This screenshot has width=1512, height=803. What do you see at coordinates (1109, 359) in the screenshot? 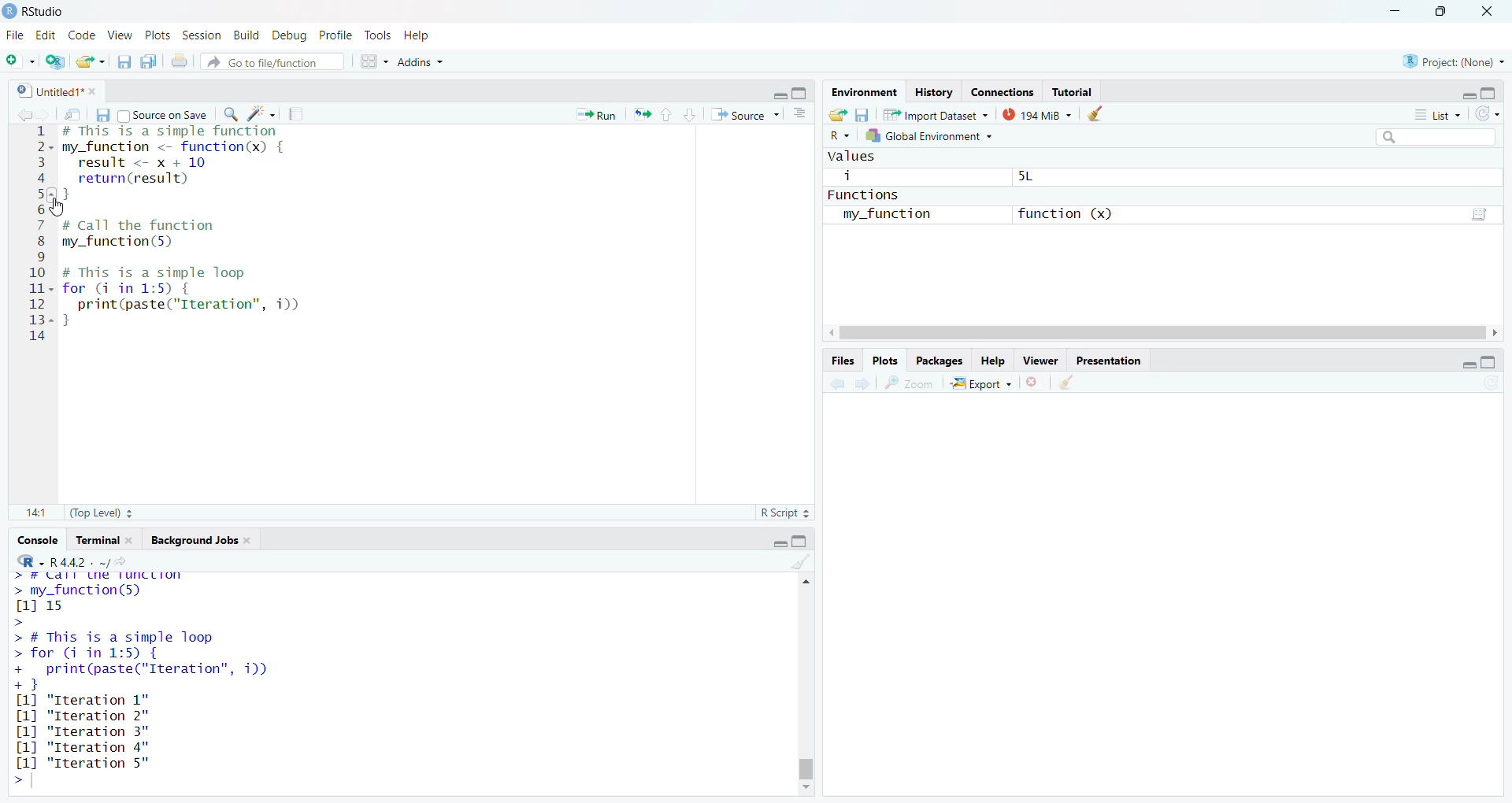
I see `presentation` at bounding box center [1109, 359].